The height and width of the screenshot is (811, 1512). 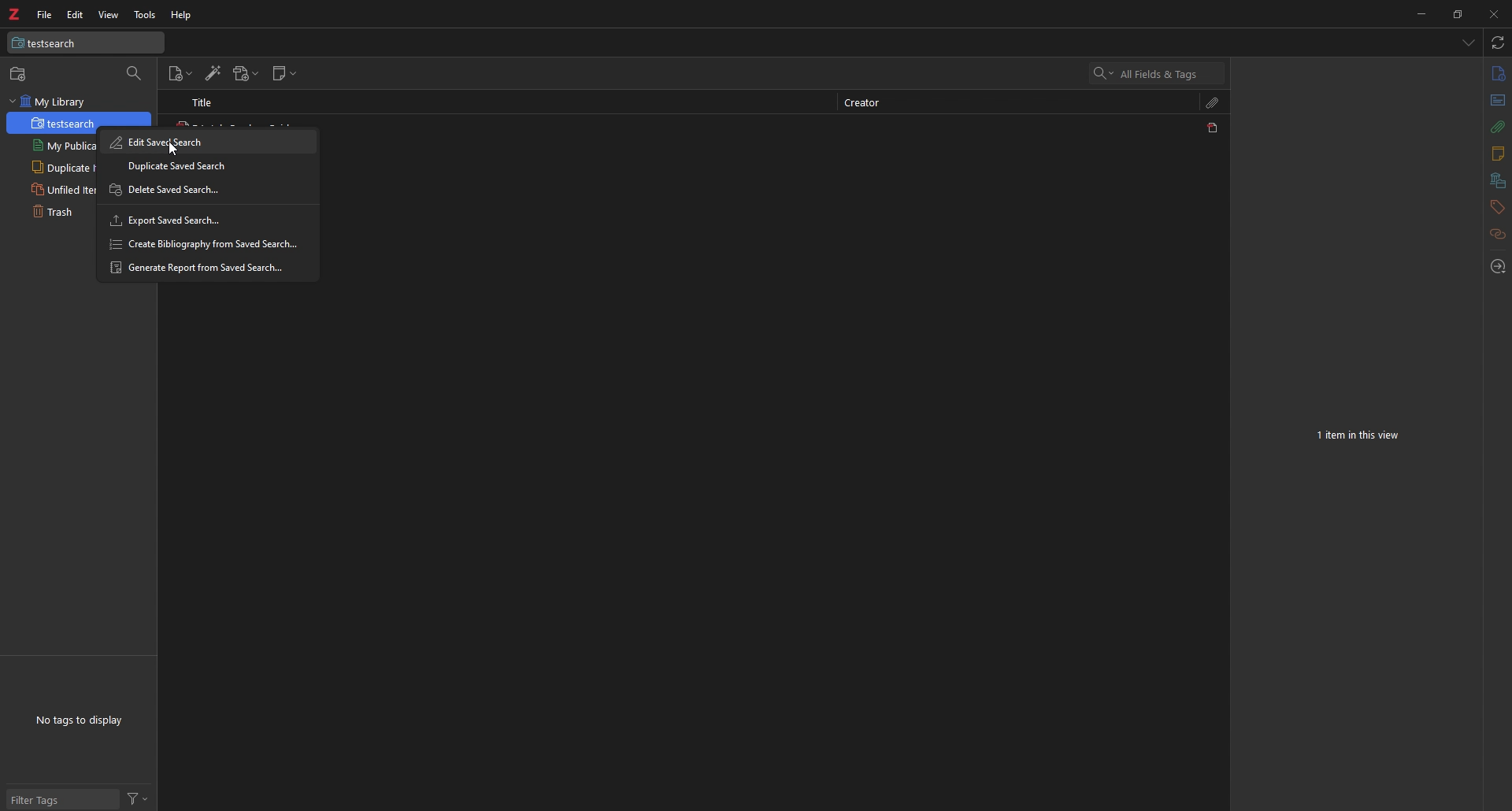 I want to click on All fields & Tags, so click(x=1158, y=73).